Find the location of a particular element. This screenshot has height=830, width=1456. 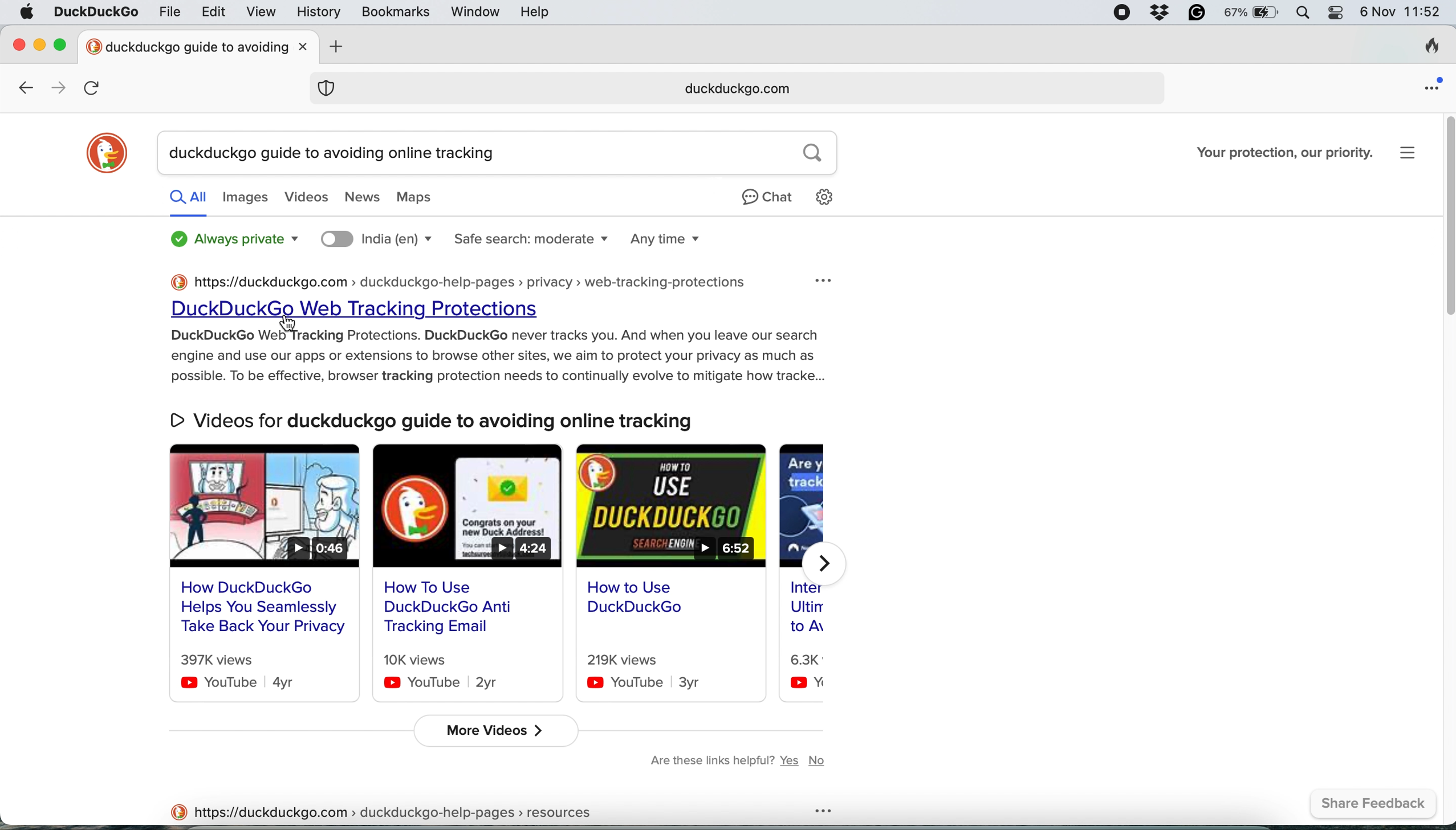

screen recorder is located at coordinates (1121, 13).